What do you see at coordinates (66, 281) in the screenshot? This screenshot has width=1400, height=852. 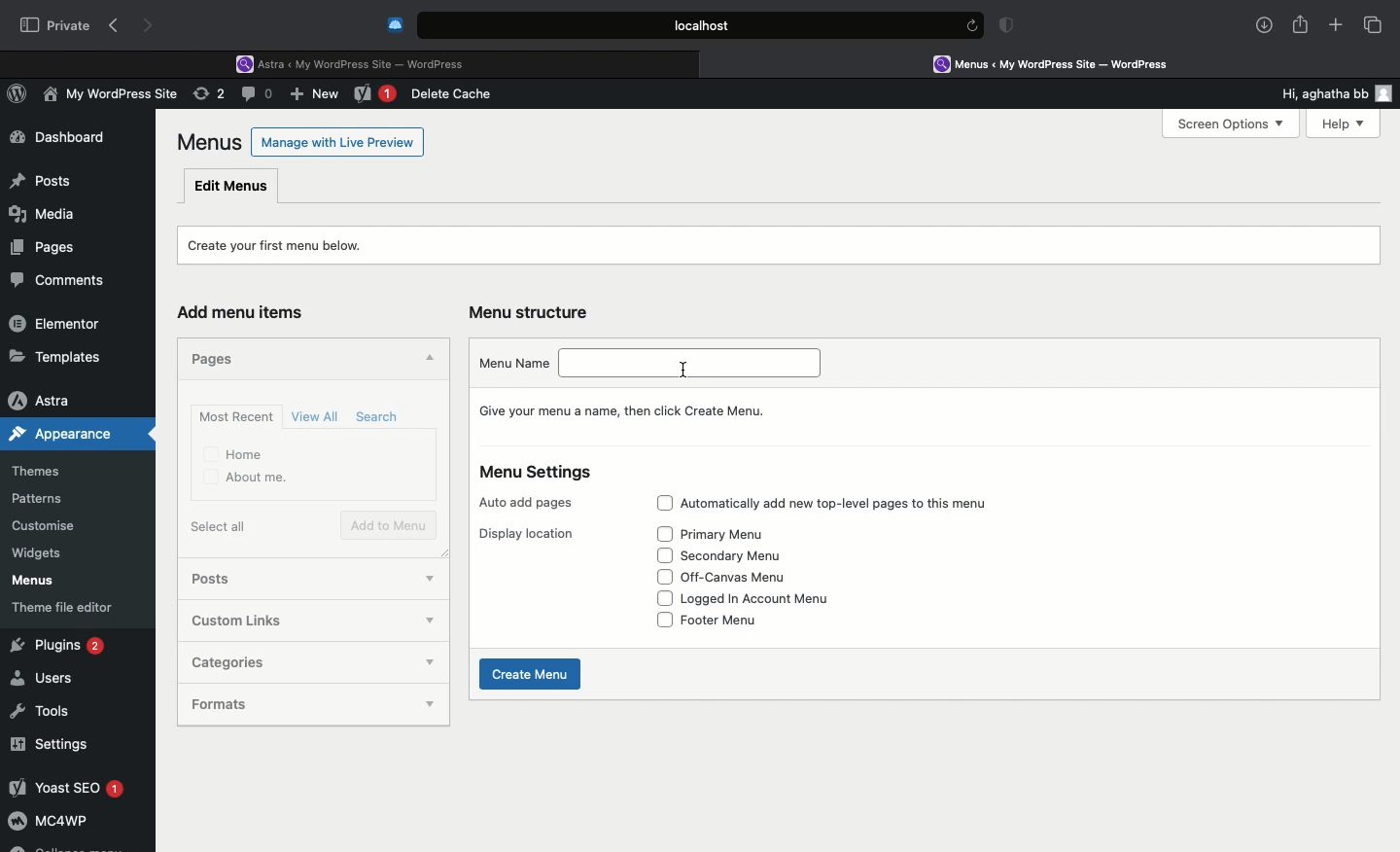 I see `Comments` at bounding box center [66, 281].